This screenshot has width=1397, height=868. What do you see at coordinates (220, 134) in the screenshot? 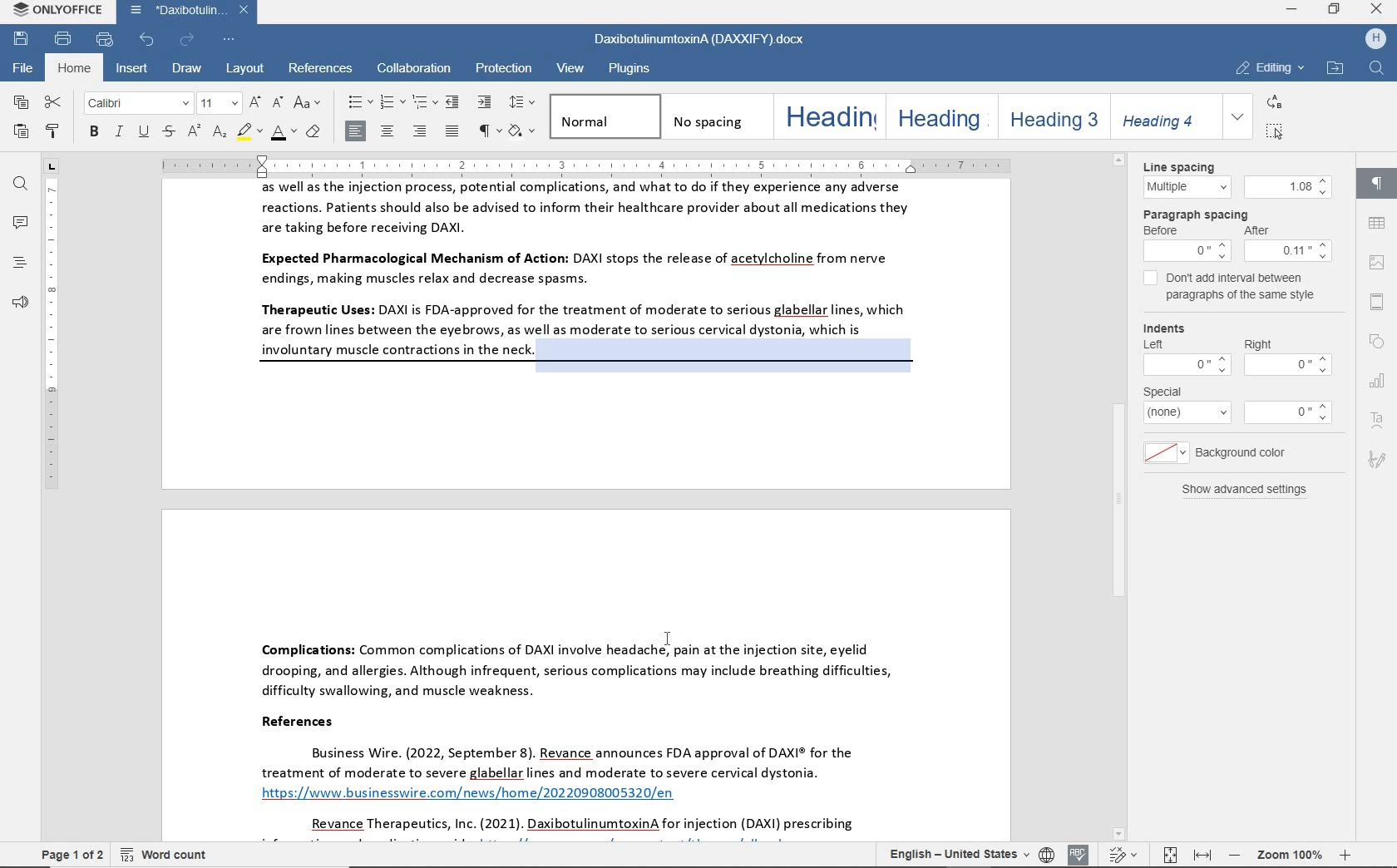
I see `subscript` at bounding box center [220, 134].